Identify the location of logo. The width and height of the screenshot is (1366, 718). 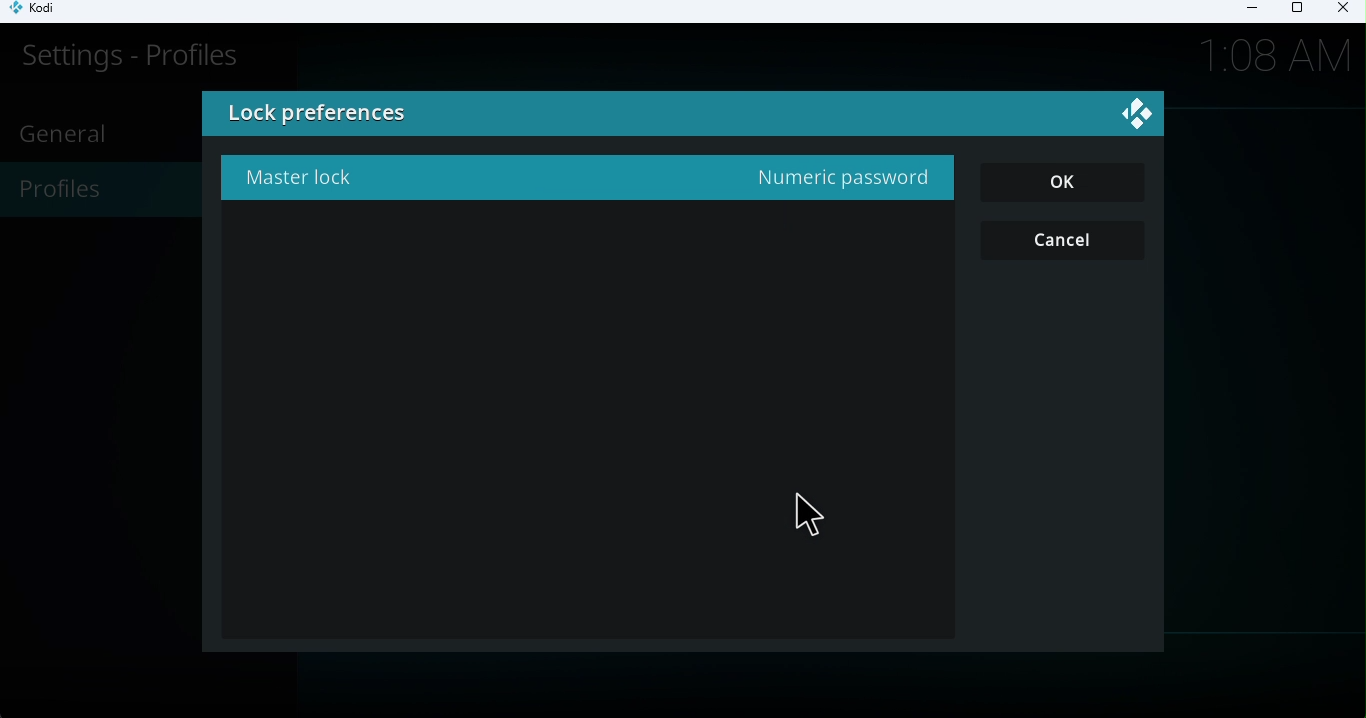
(1140, 117).